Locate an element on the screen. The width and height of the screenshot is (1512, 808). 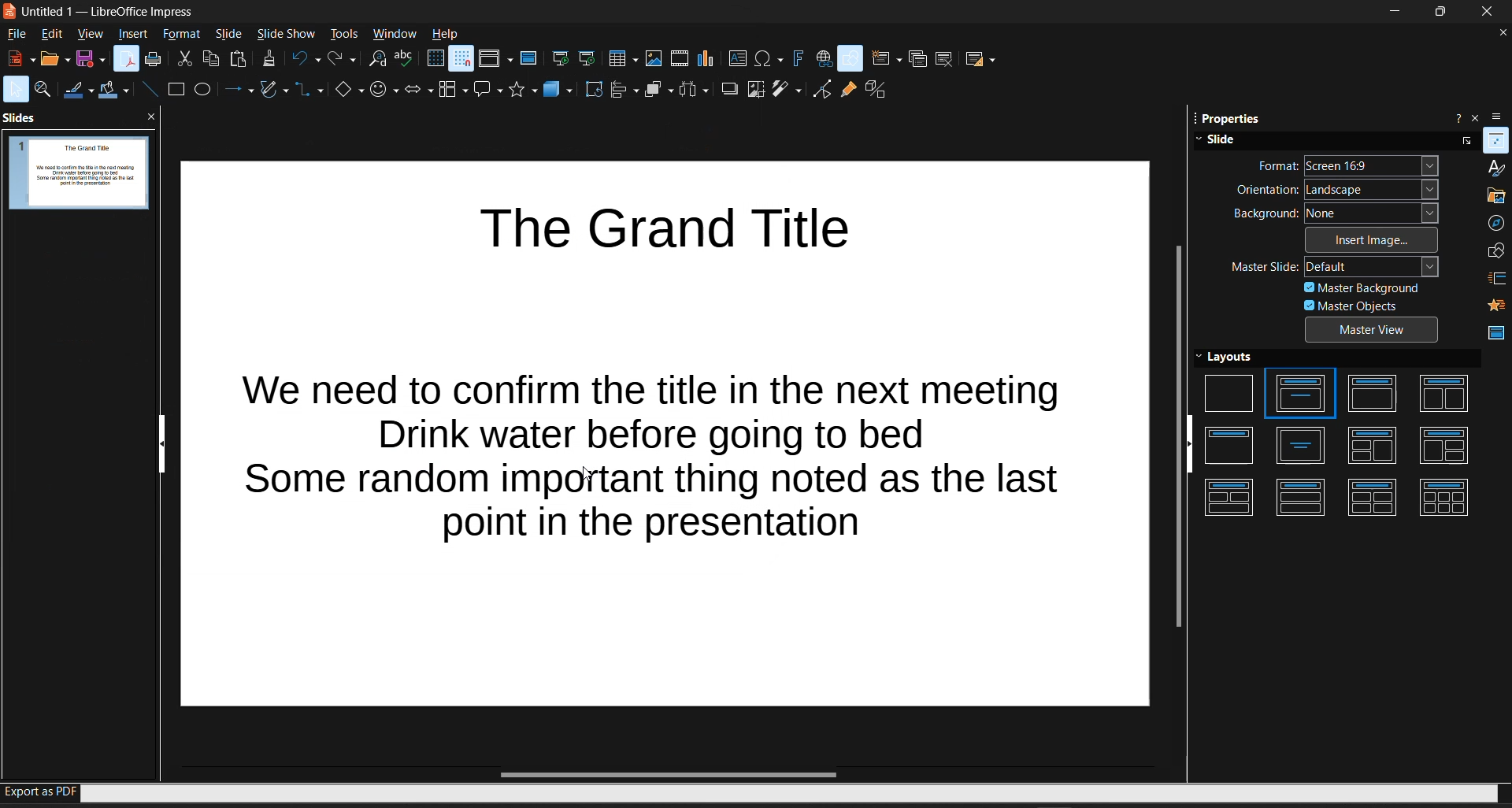
rotate is located at coordinates (593, 87).